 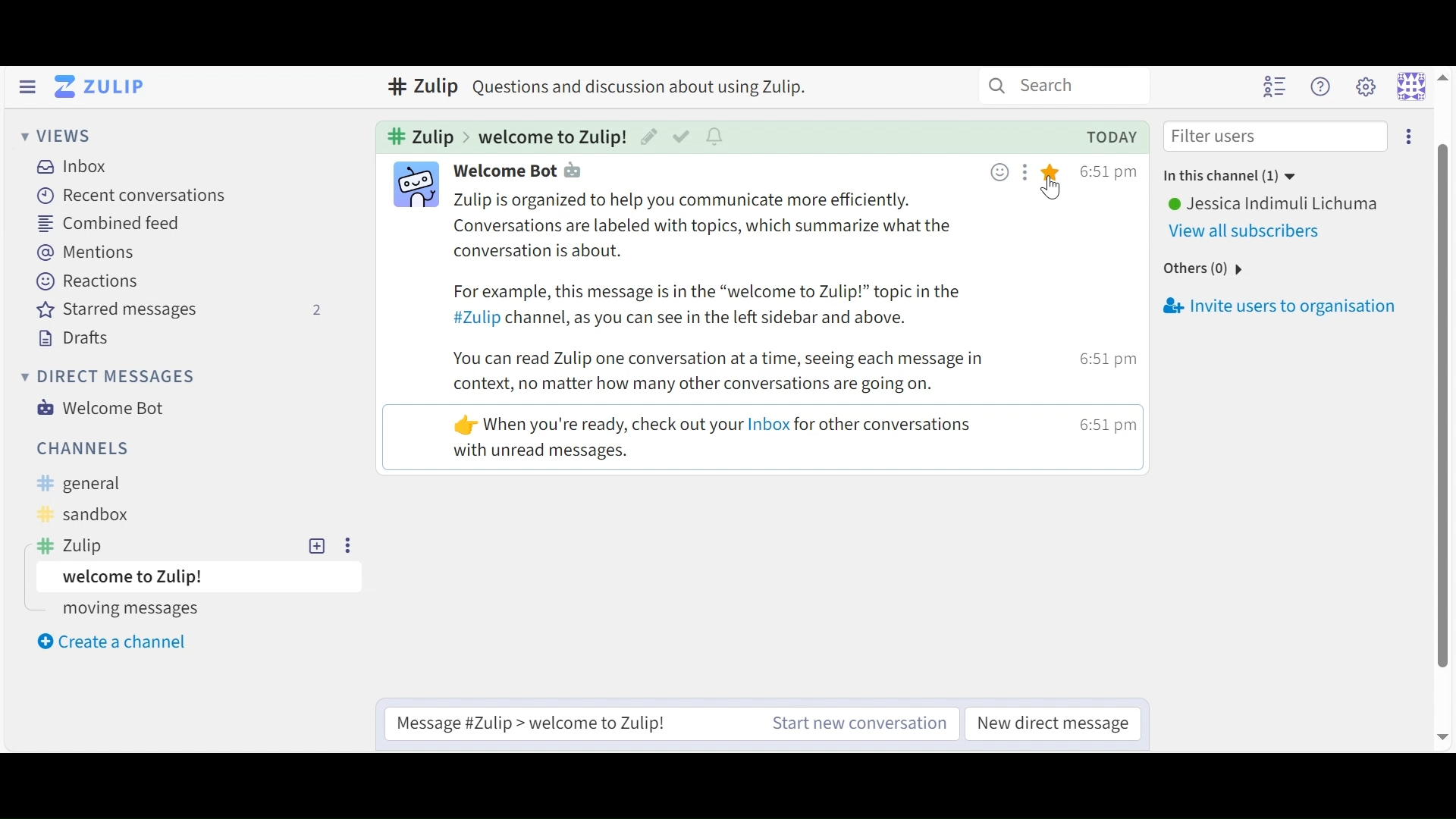 What do you see at coordinates (1111, 138) in the screenshot?
I see `today` at bounding box center [1111, 138].